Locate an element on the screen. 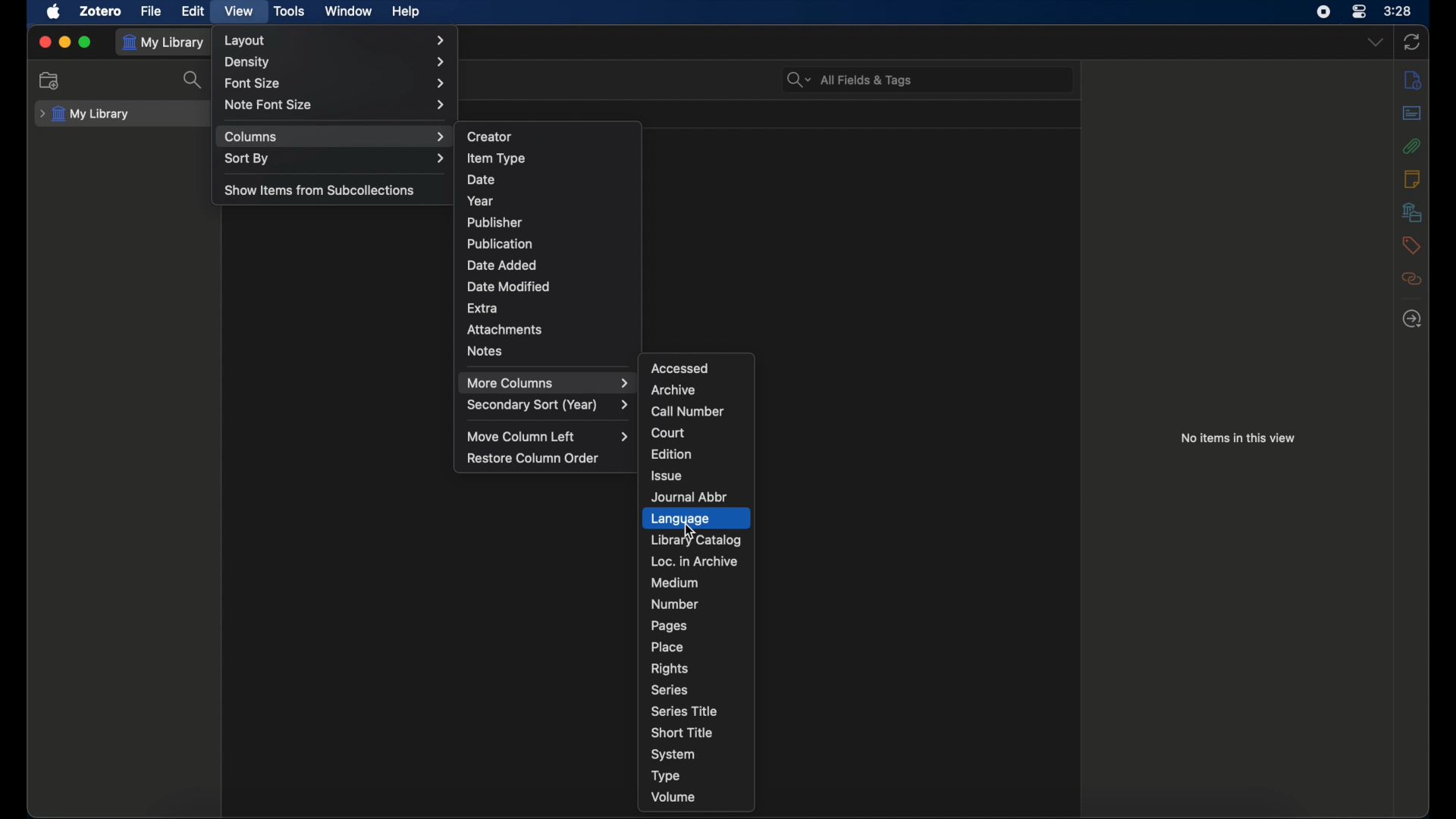 This screenshot has width=1456, height=819. more columns is located at coordinates (549, 383).